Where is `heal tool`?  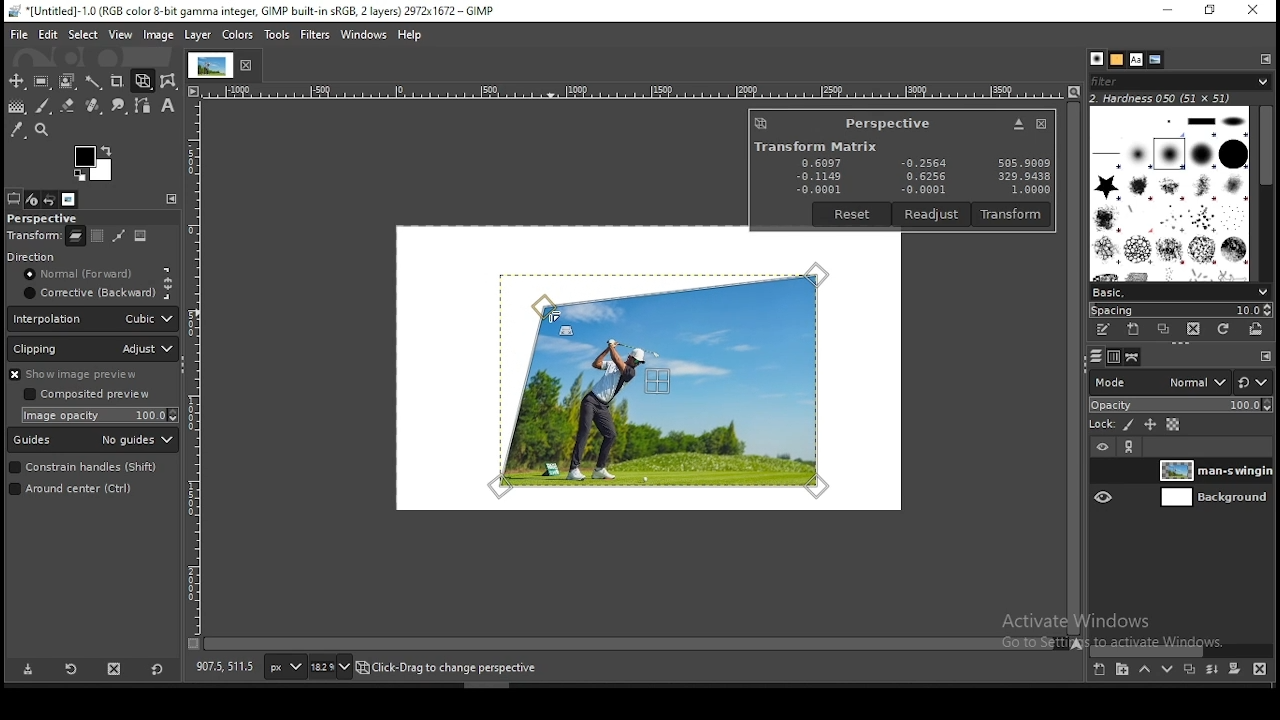
heal tool is located at coordinates (93, 108).